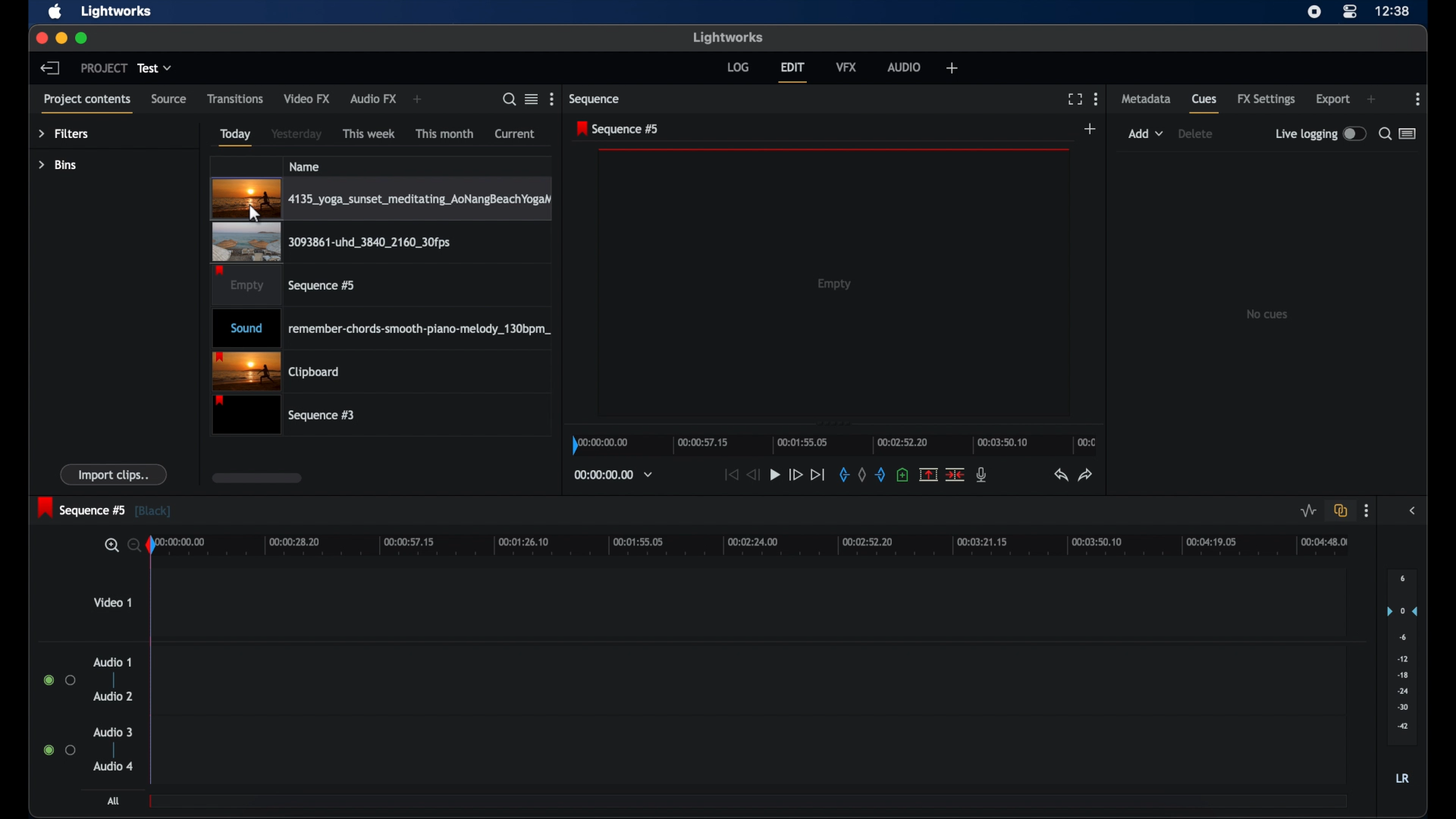 The image size is (1456, 819). I want to click on filters, so click(63, 134).